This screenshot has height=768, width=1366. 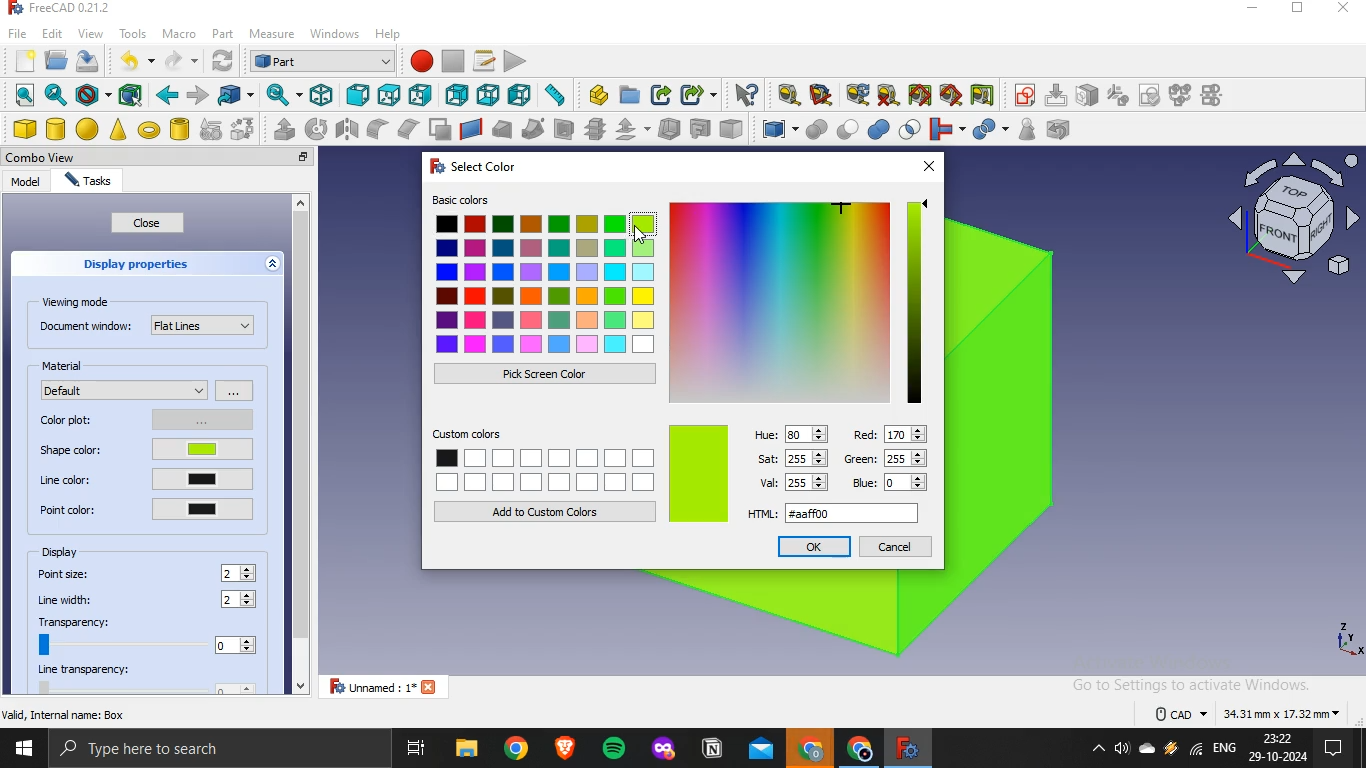 What do you see at coordinates (23, 751) in the screenshot?
I see `start` at bounding box center [23, 751].